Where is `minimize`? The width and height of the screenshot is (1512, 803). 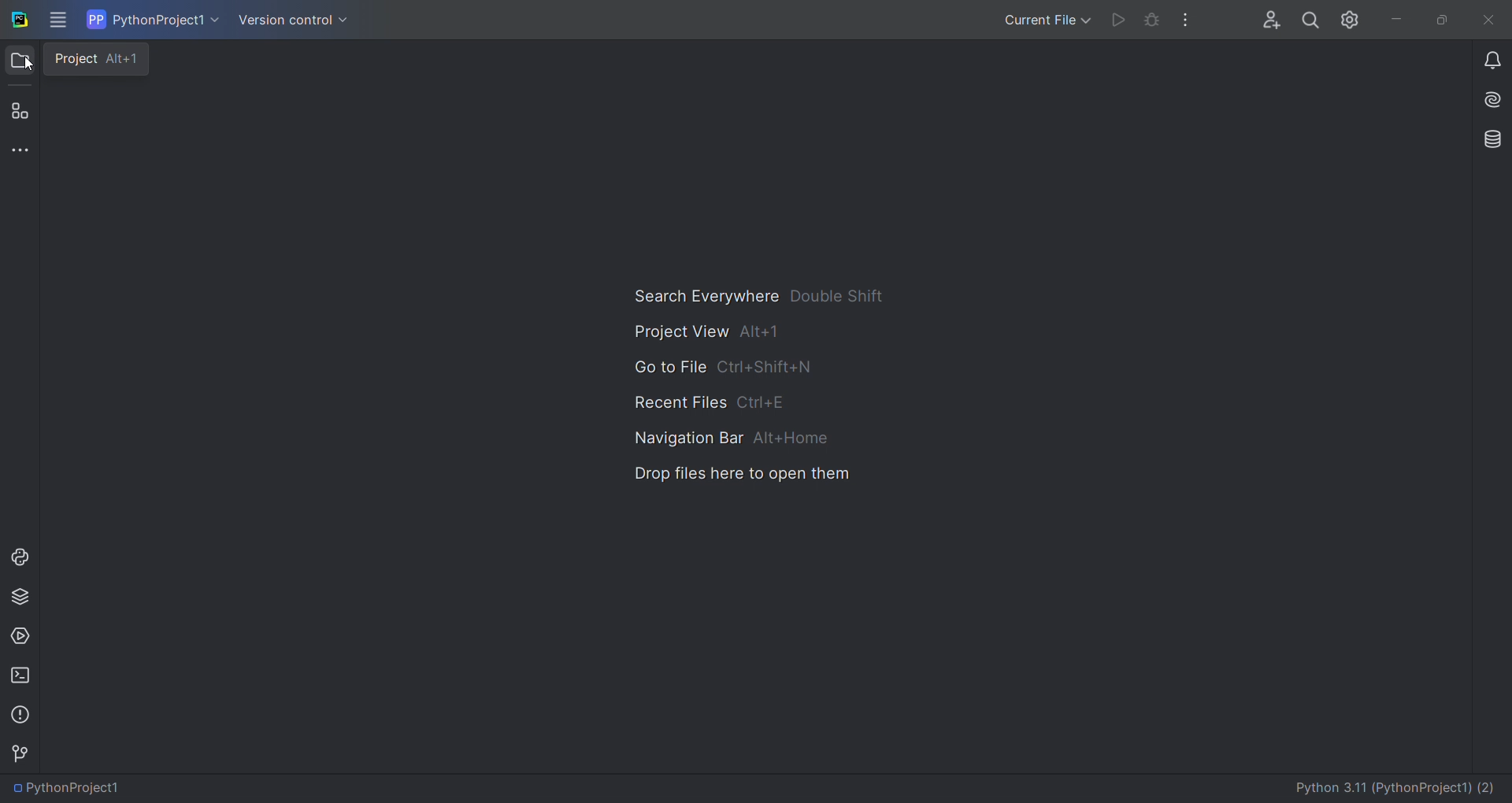
minimize is located at coordinates (1394, 16).